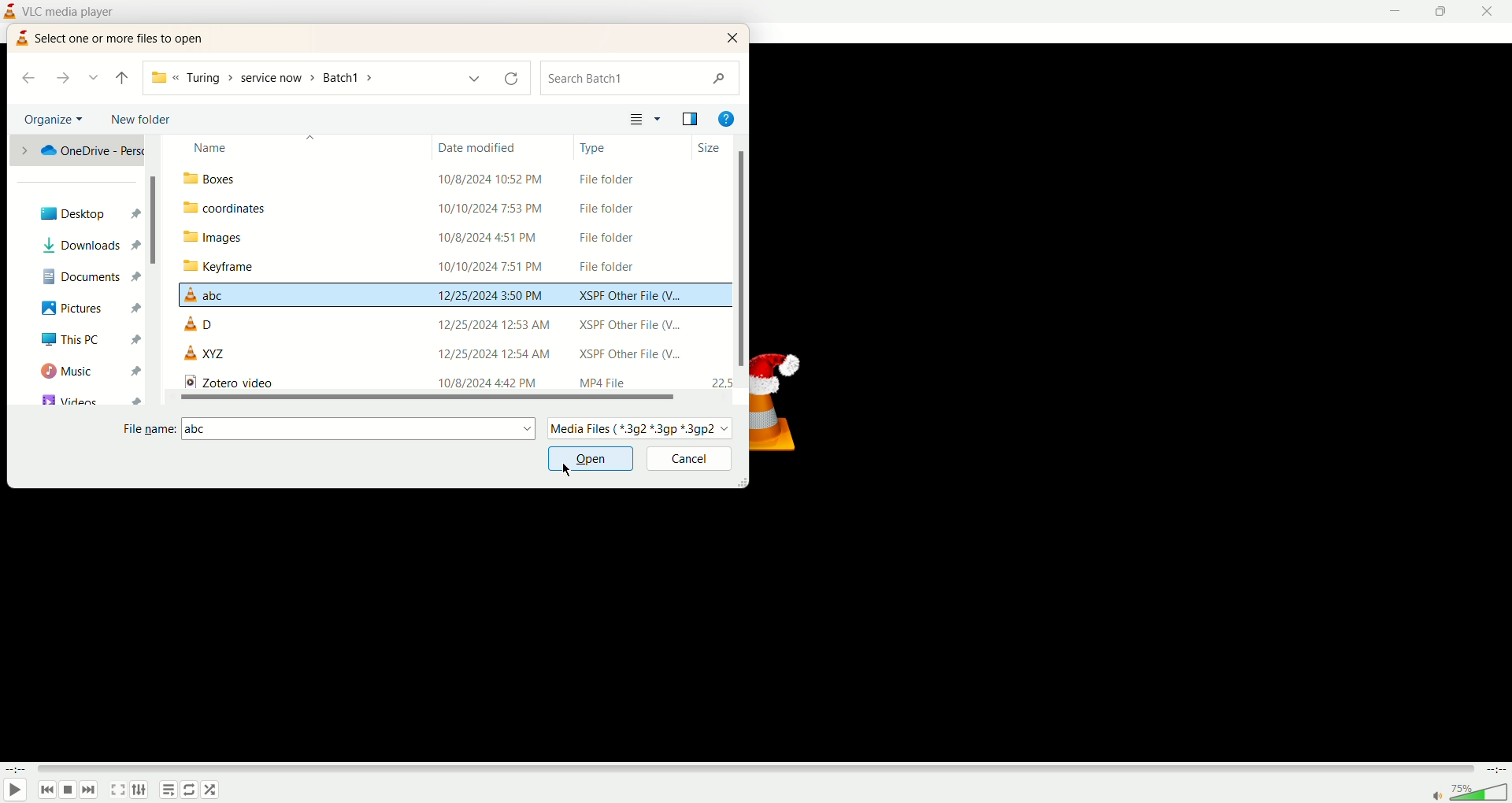 The height and width of the screenshot is (803, 1512). What do you see at coordinates (89, 396) in the screenshot?
I see `Videos` at bounding box center [89, 396].